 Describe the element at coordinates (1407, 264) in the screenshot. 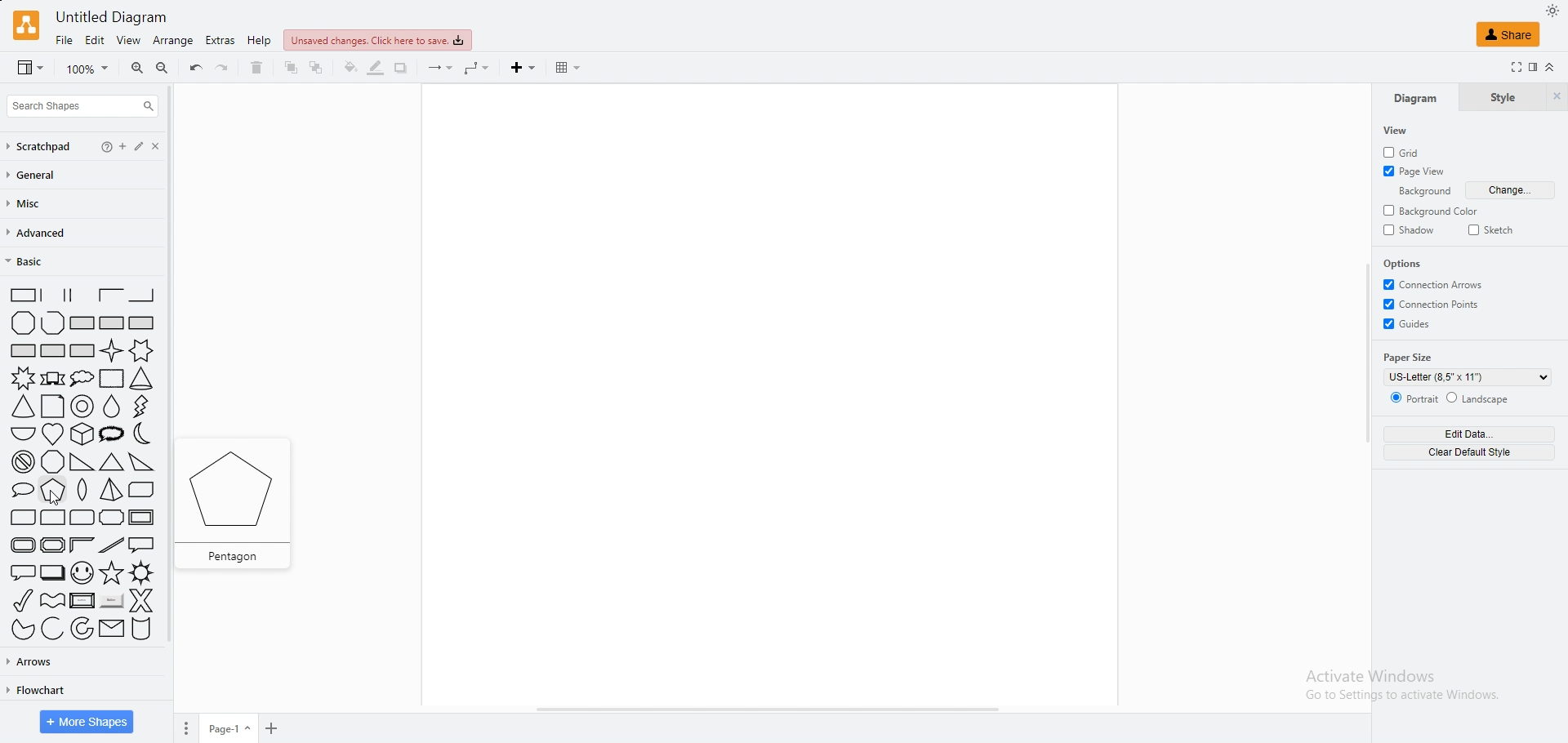

I see `options` at that location.